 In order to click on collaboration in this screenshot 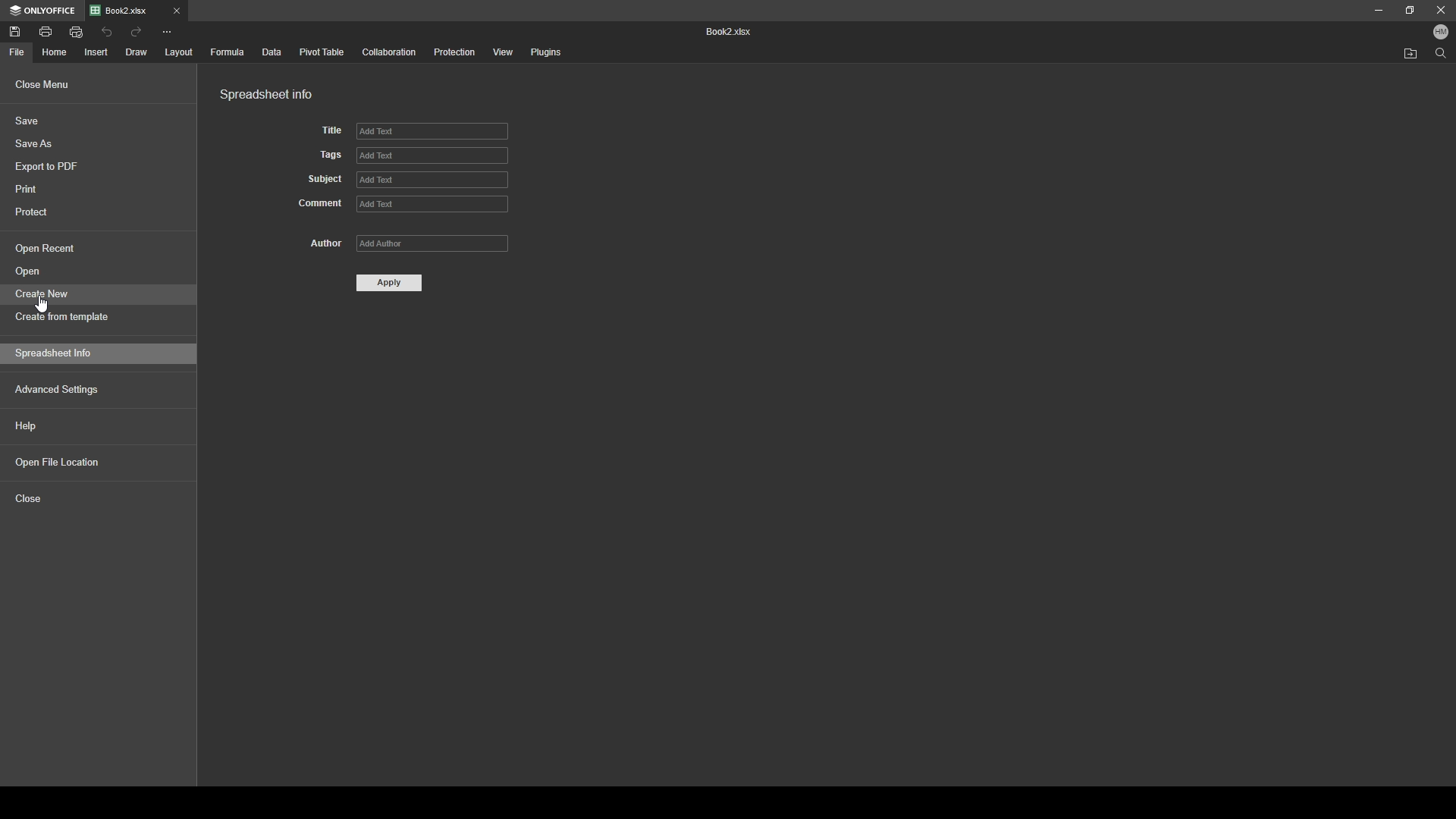, I will do `click(391, 52)`.